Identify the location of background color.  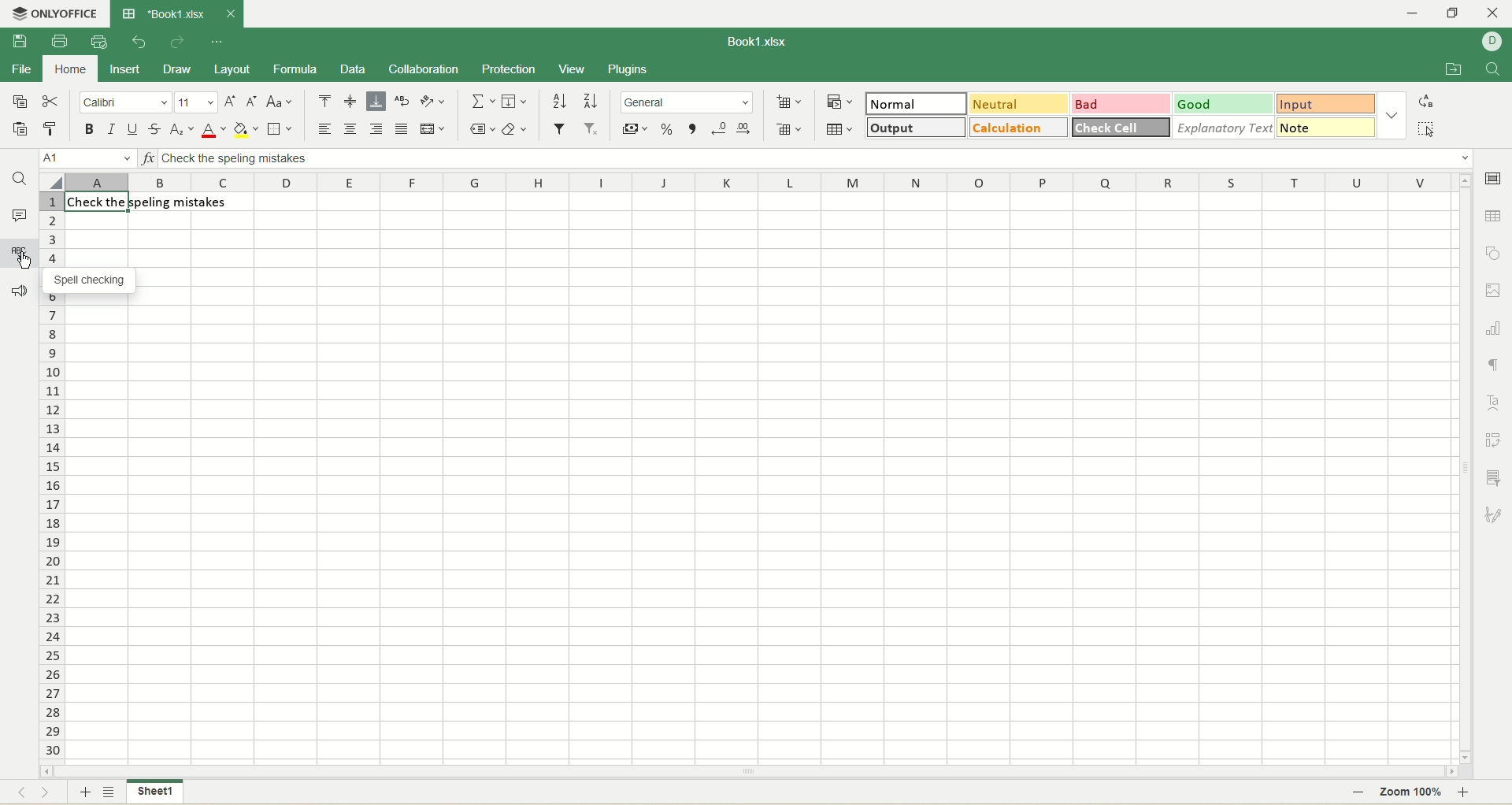
(246, 131).